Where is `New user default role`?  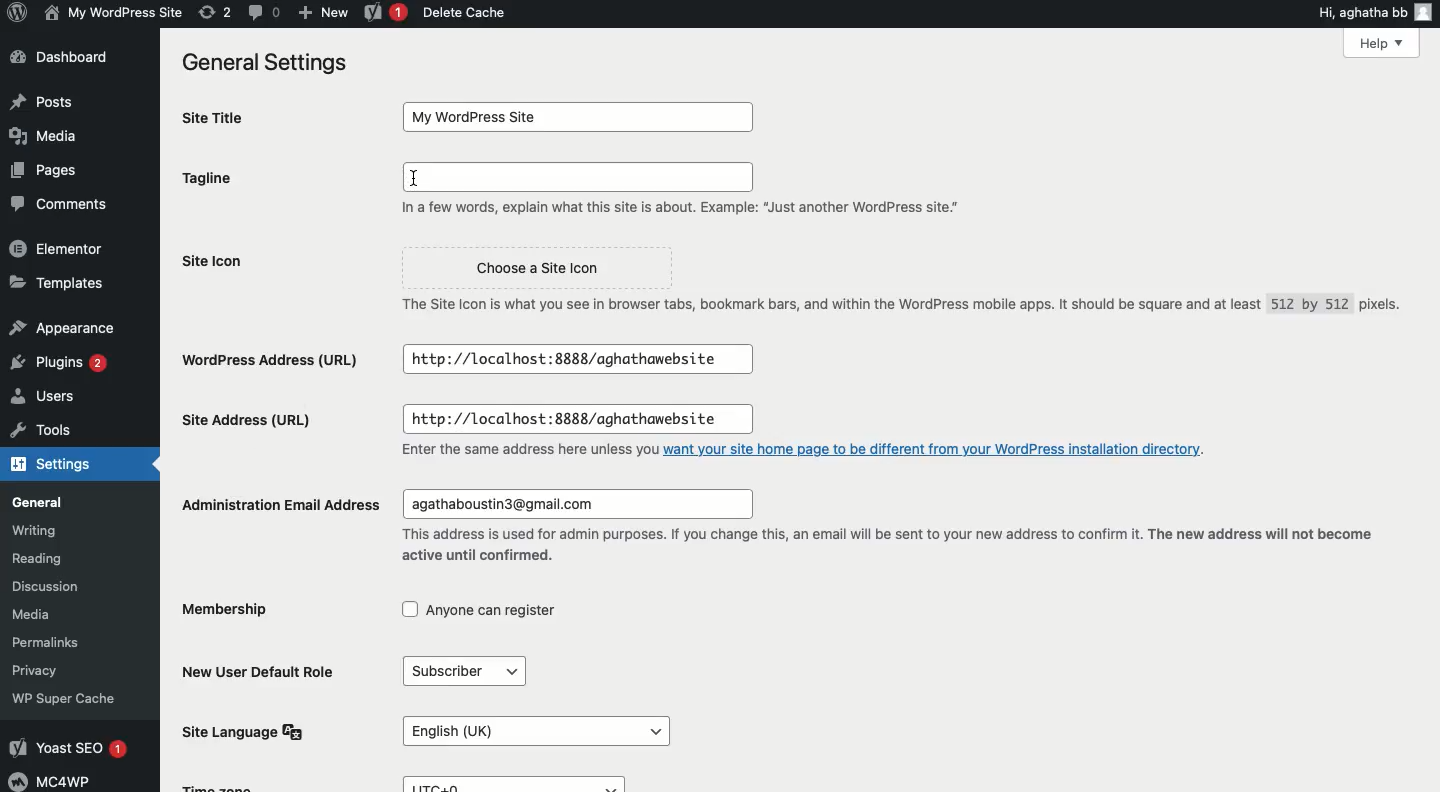
New user default role is located at coordinates (262, 671).